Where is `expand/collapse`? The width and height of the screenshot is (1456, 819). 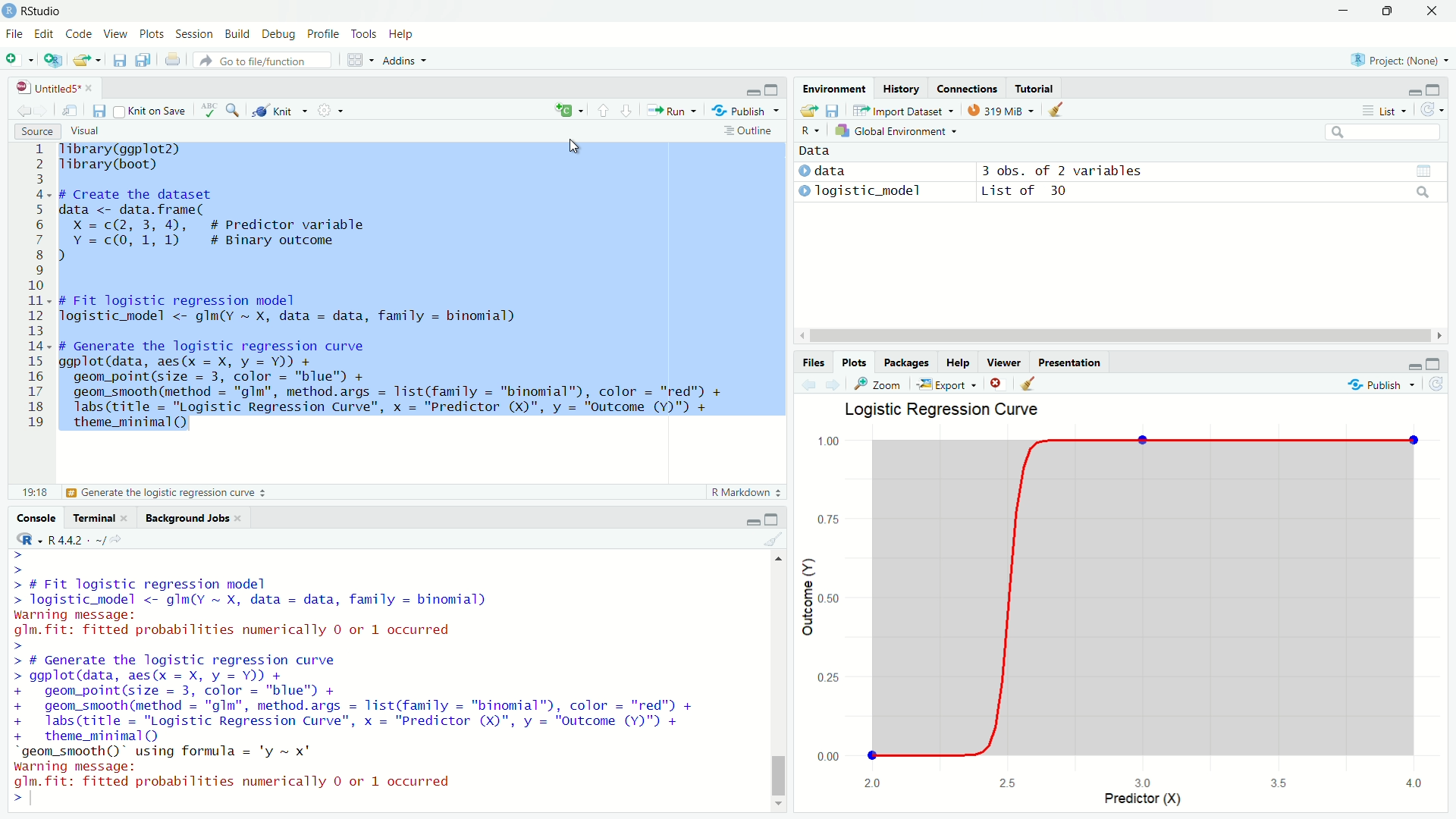 expand/collapse is located at coordinates (803, 191).